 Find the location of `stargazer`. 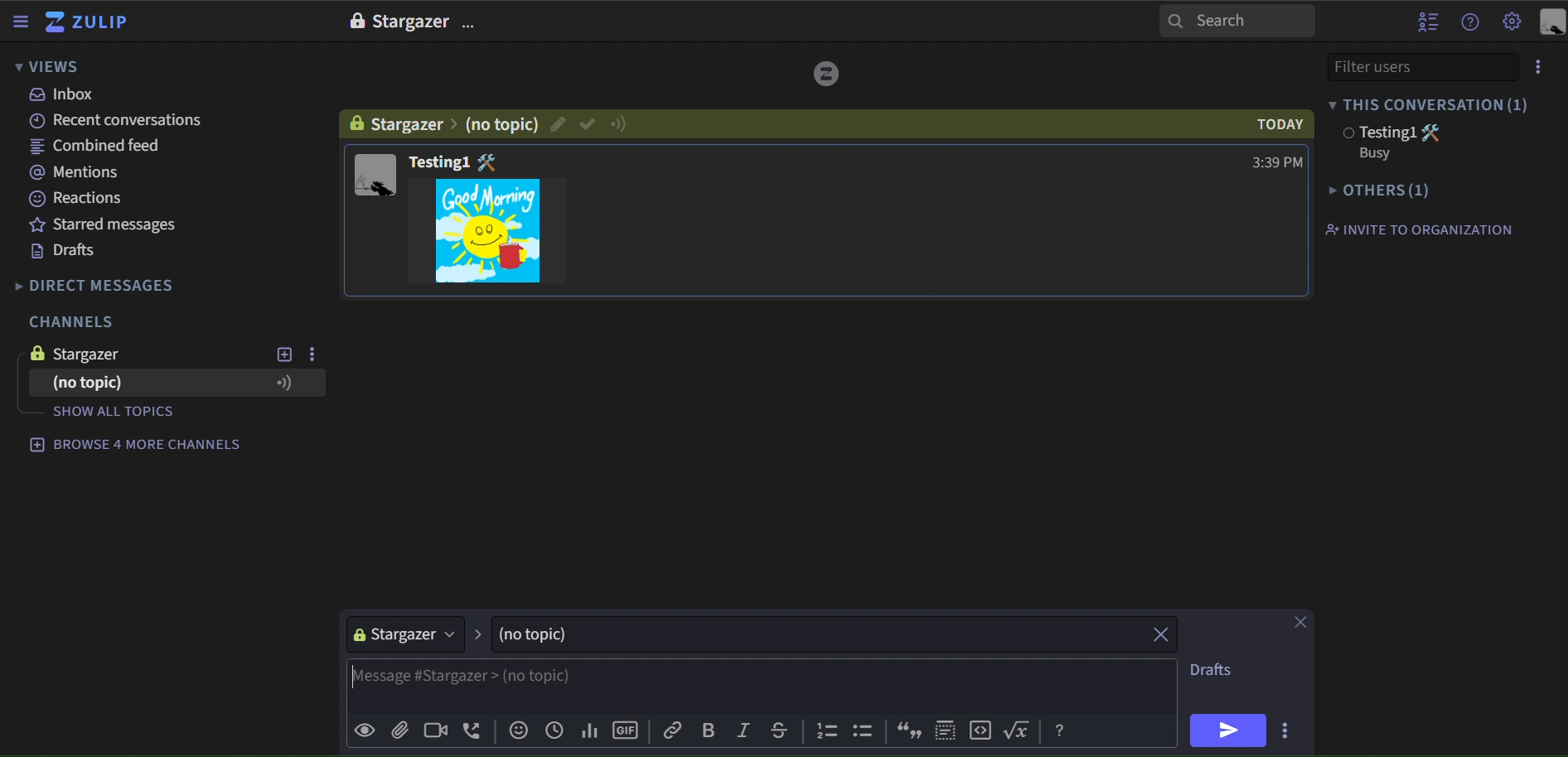

stargazer is located at coordinates (105, 354).